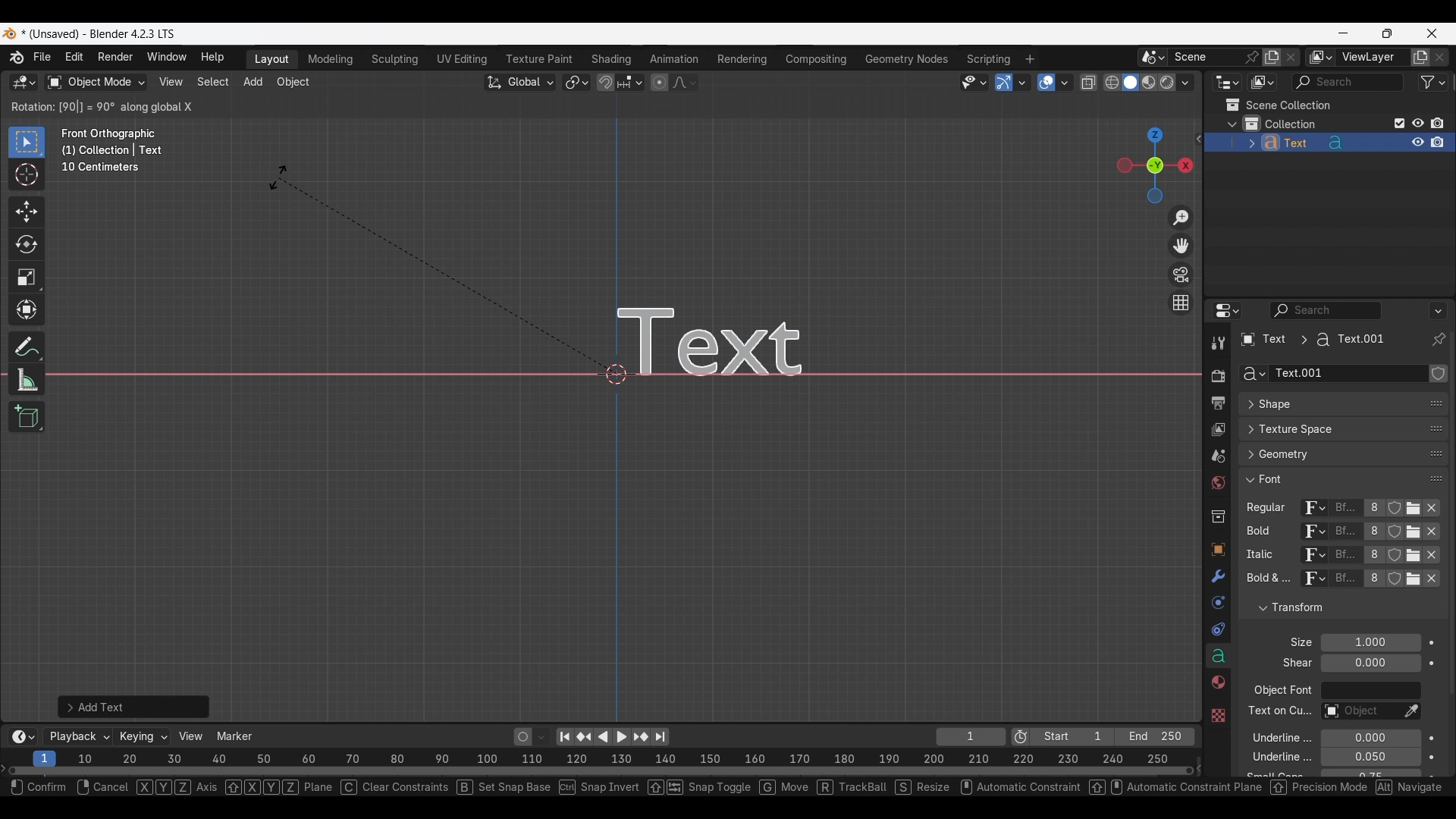  What do you see at coordinates (1321, 57) in the screenshot?
I see `The active workspace view layer showing in the window` at bounding box center [1321, 57].